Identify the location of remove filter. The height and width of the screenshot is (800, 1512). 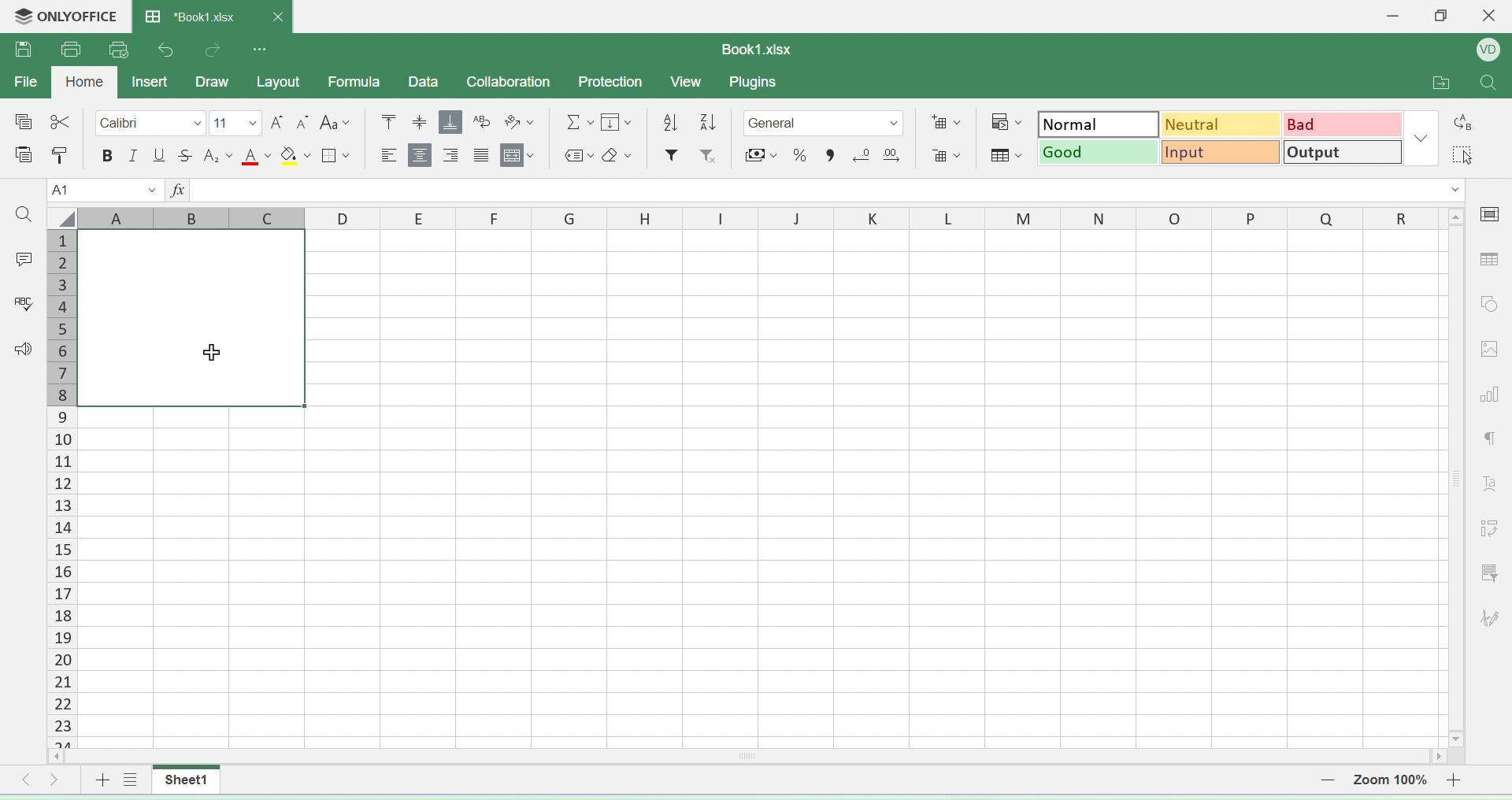
(710, 154).